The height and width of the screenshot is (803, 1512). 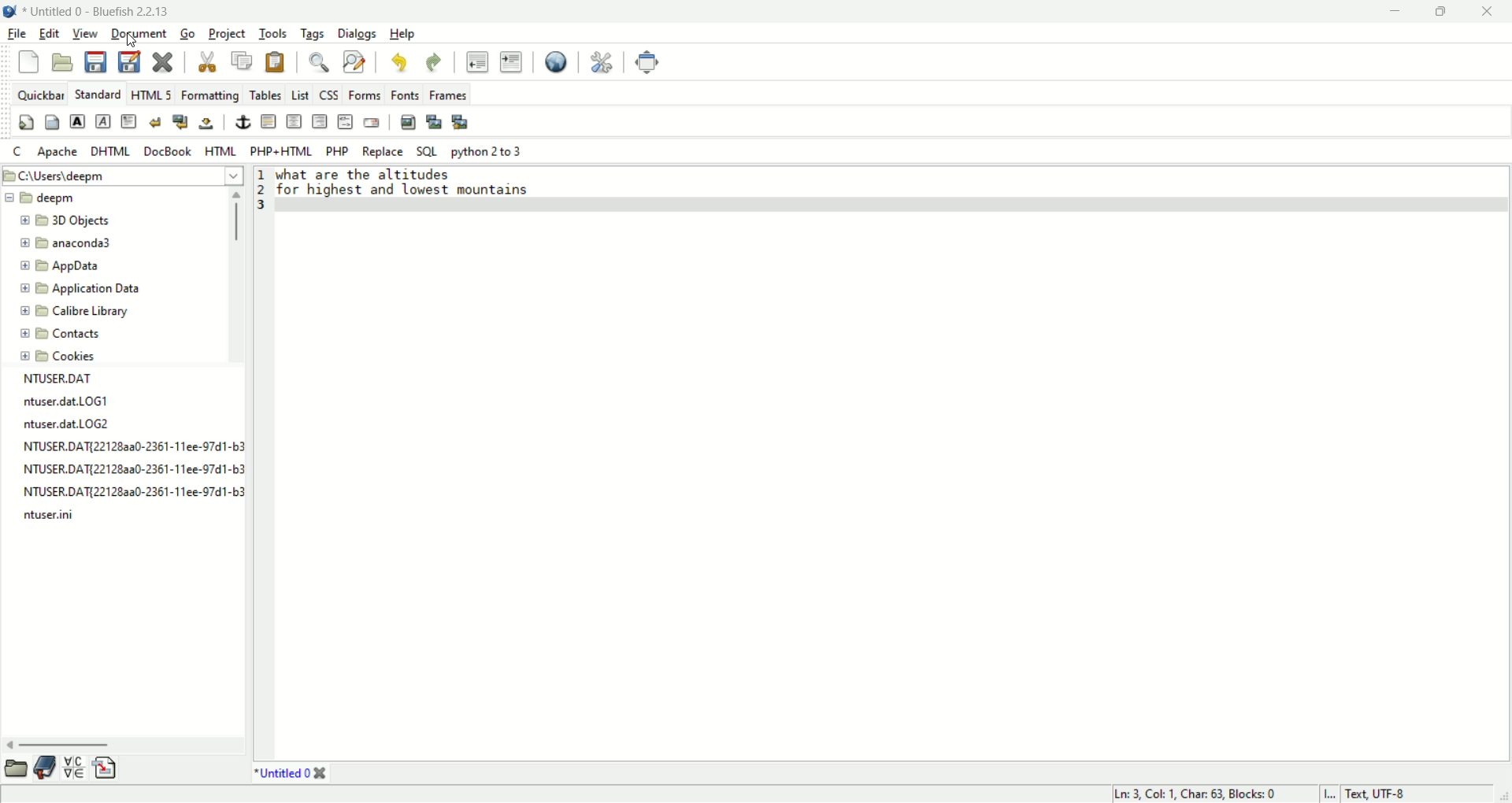 What do you see at coordinates (109, 768) in the screenshot?
I see `insert file` at bounding box center [109, 768].